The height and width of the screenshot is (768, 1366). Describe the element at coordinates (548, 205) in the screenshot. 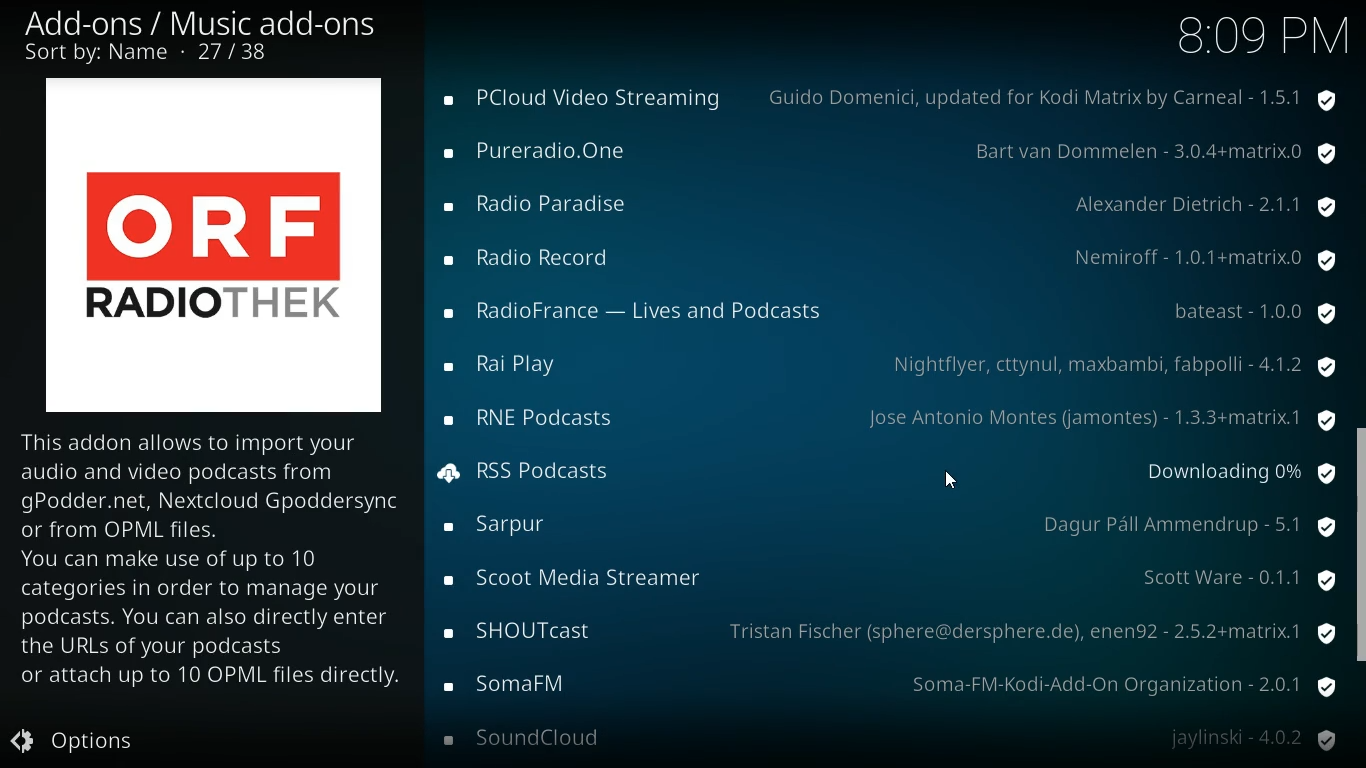

I see `Radio Paradise` at that location.